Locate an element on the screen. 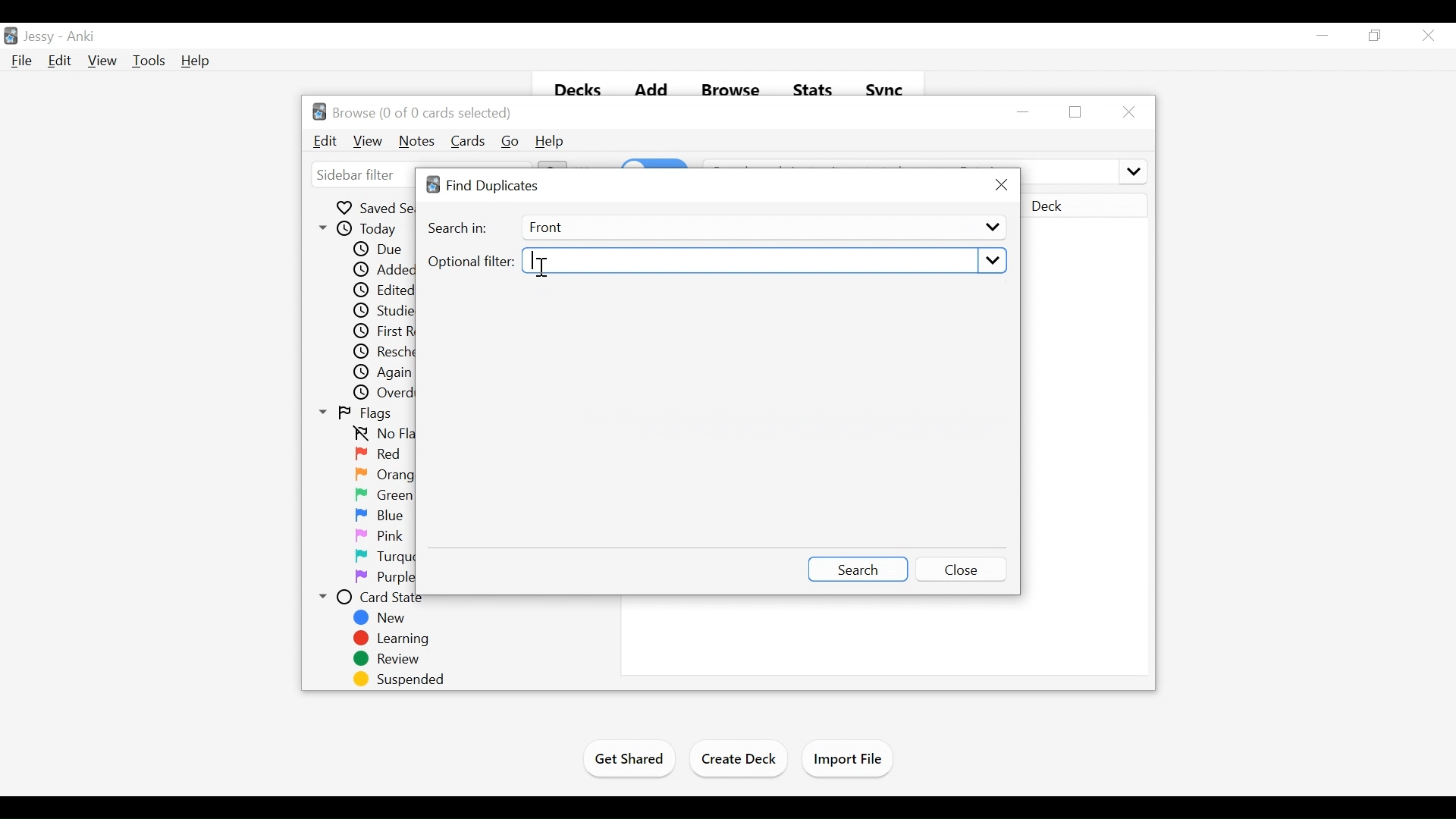 The image size is (1456, 819). View is located at coordinates (369, 142).